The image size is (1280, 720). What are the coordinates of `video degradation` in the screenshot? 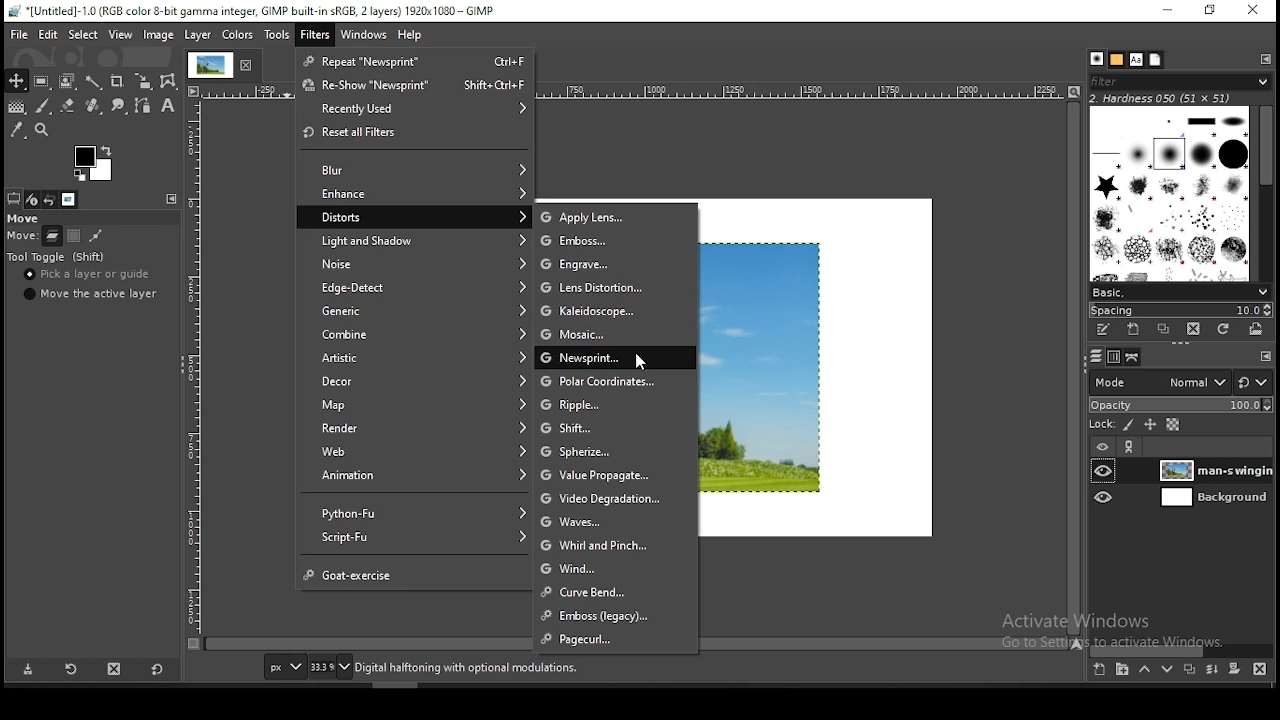 It's located at (615, 500).